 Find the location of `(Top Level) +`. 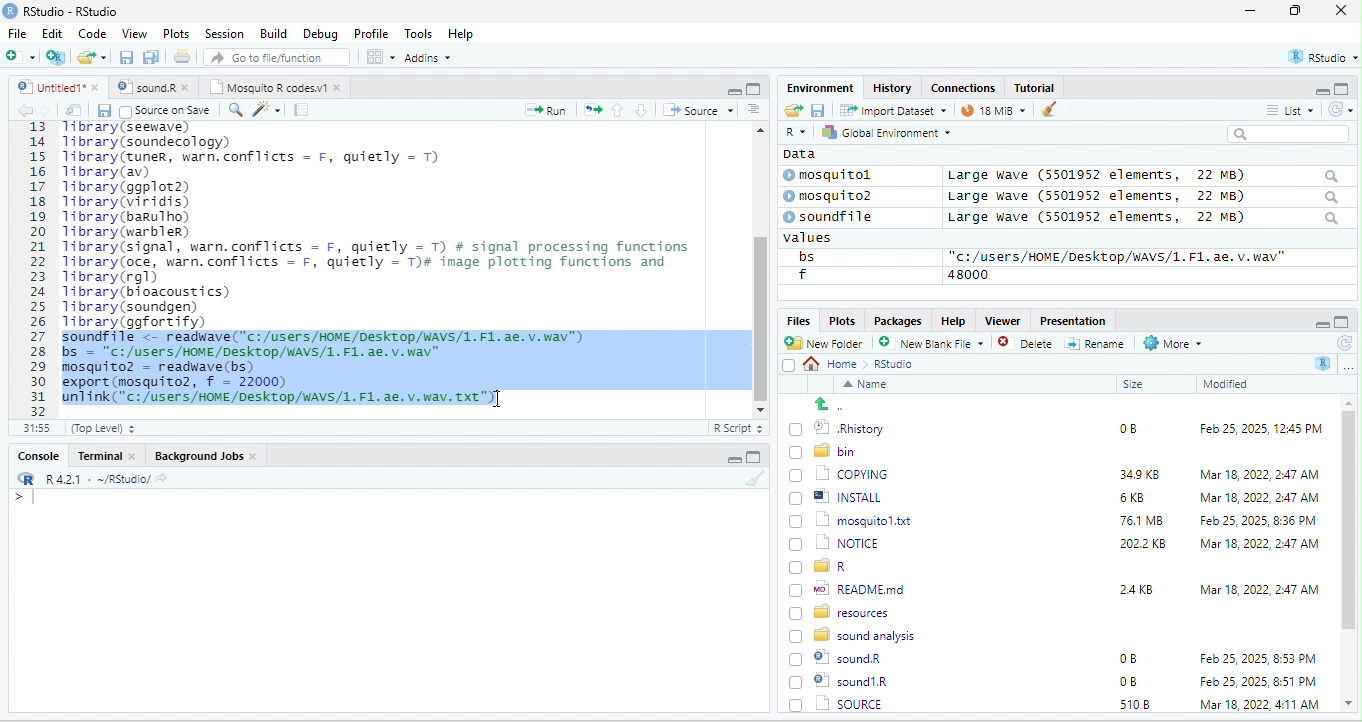

(Top Level) + is located at coordinates (103, 428).